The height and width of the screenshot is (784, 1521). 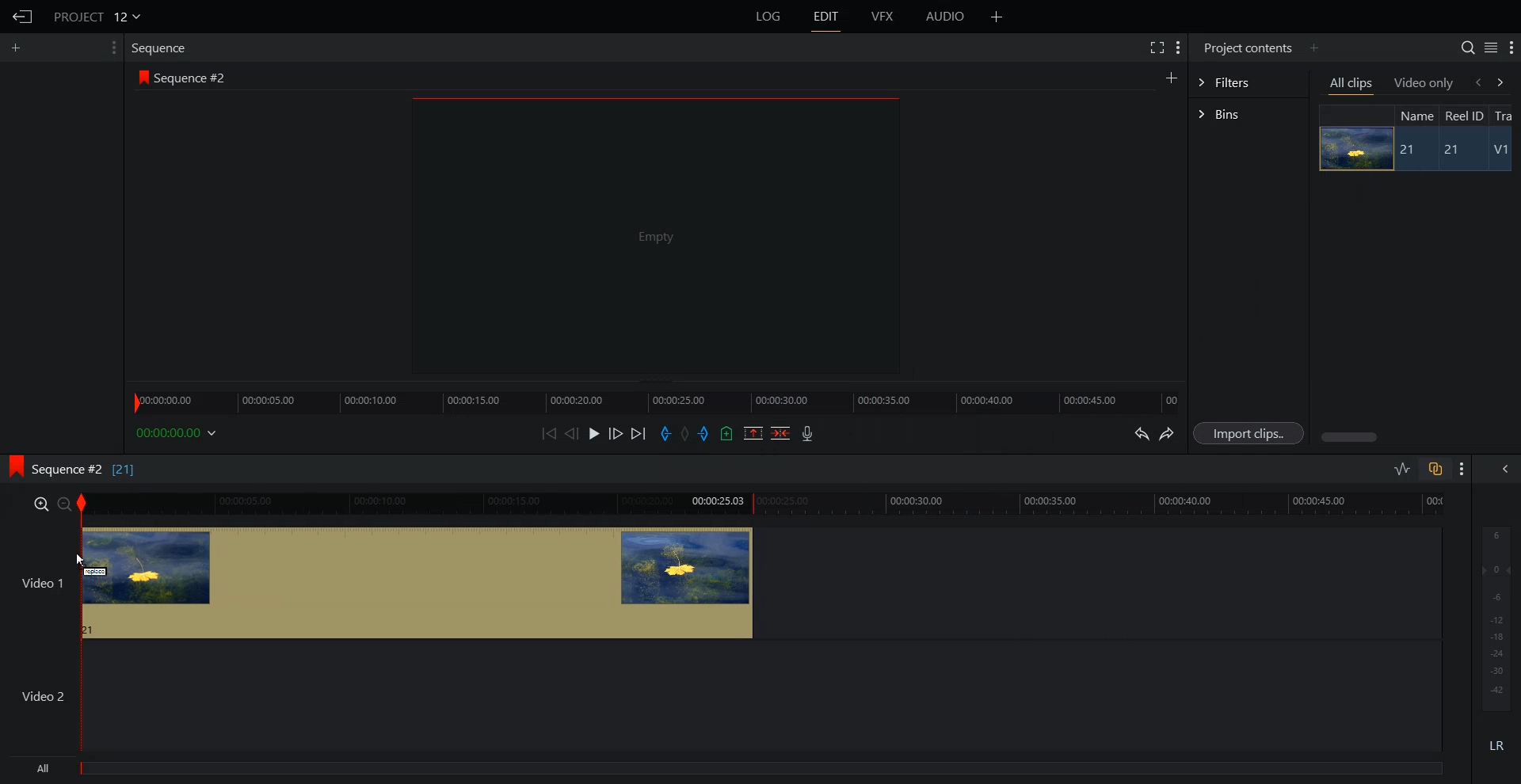 What do you see at coordinates (1252, 434) in the screenshot?
I see `Import clips` at bounding box center [1252, 434].